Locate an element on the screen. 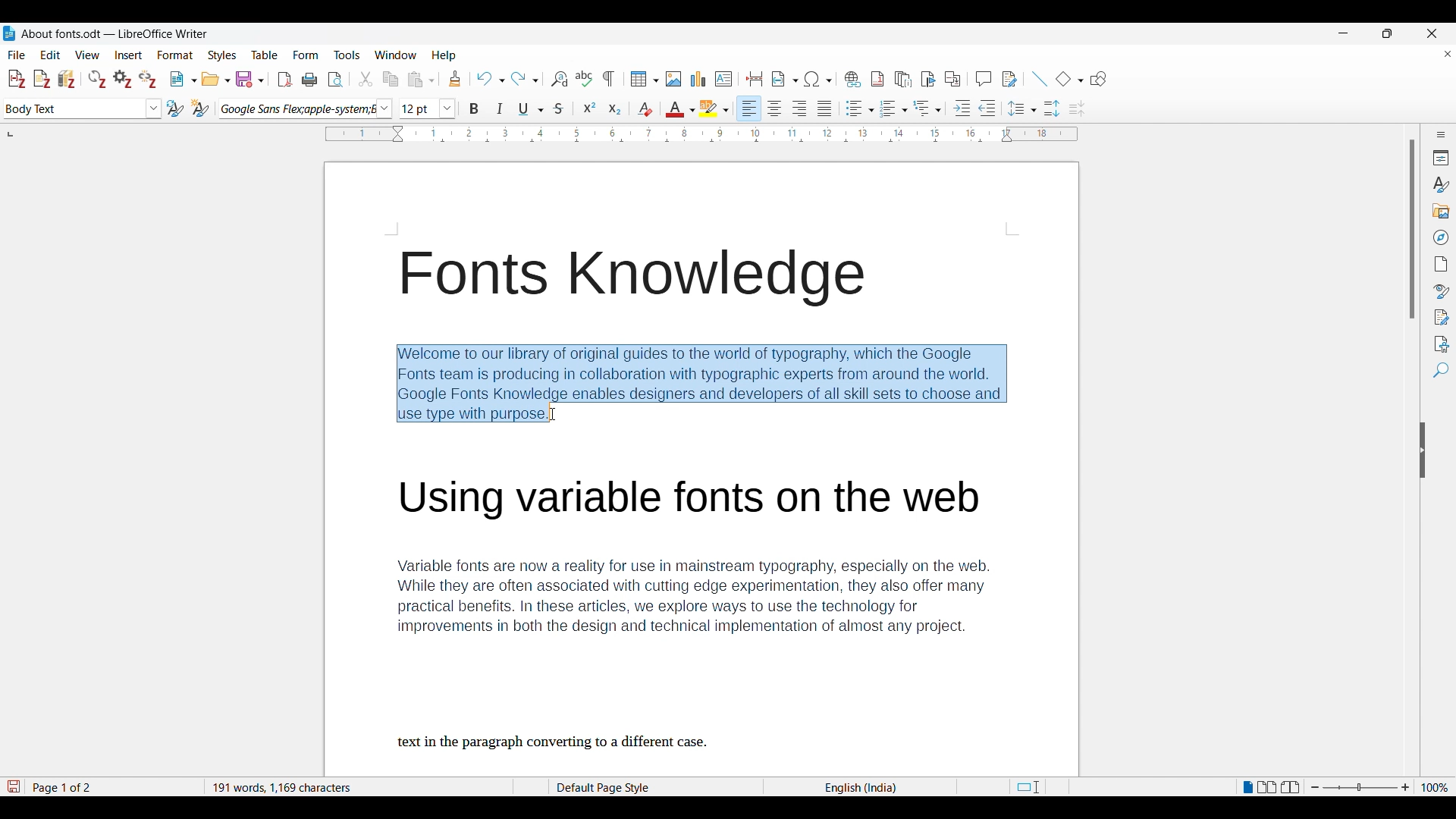  Font knowledge is located at coordinates (639, 279).